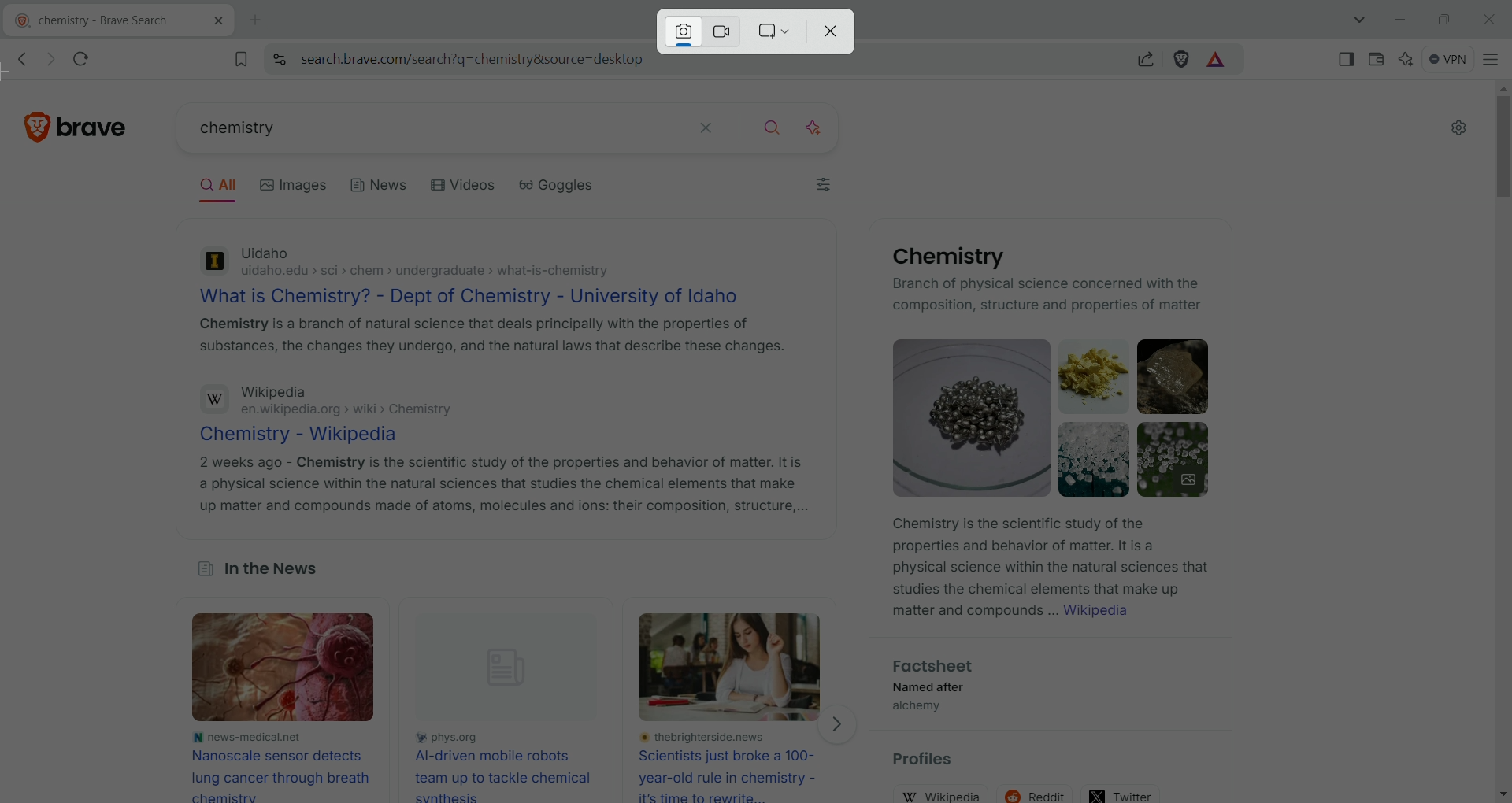  I want to click on brave shield, so click(1182, 59).